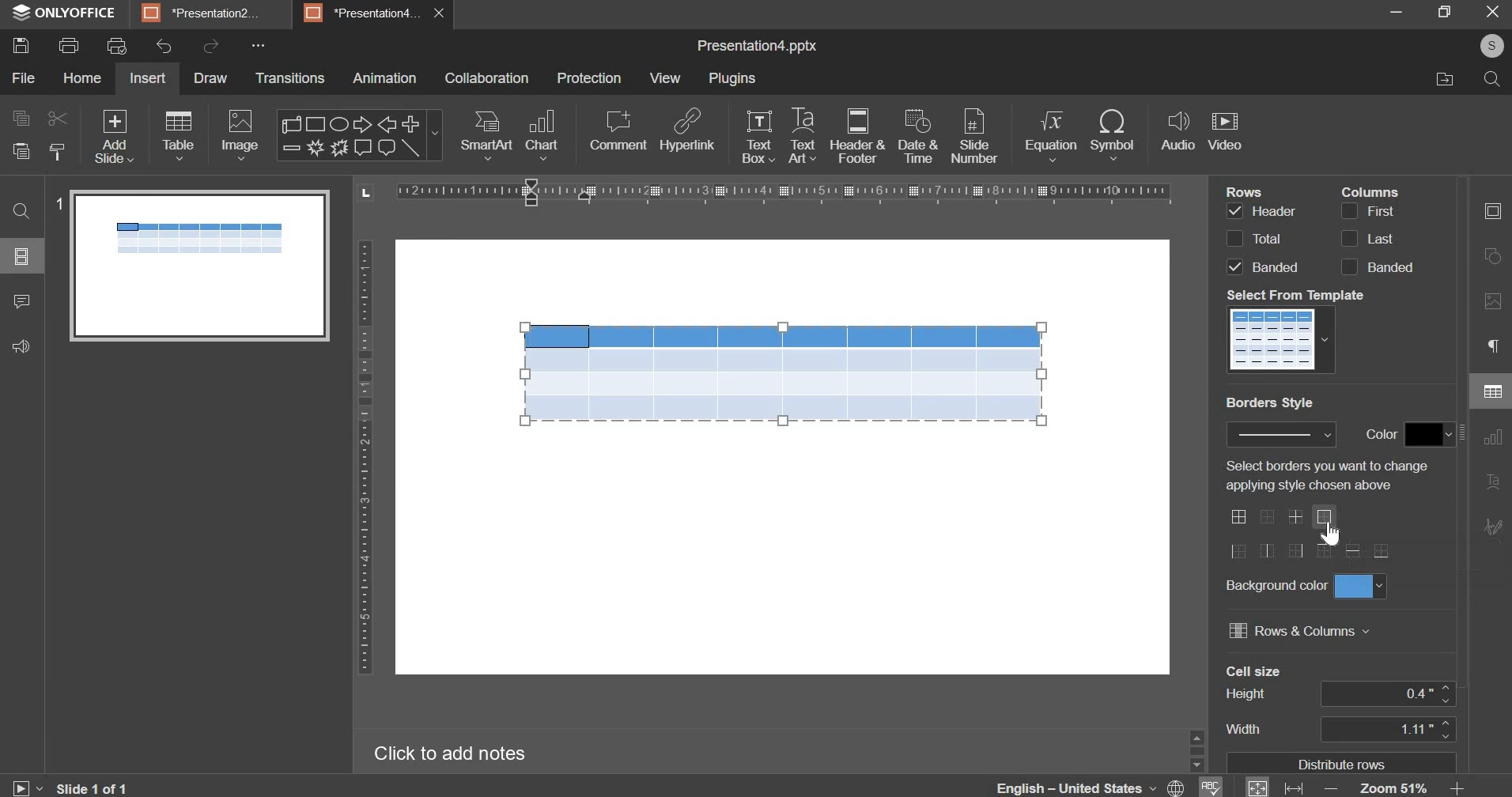 This screenshot has height=797, width=1512. I want to click on Transitions, so click(290, 78).